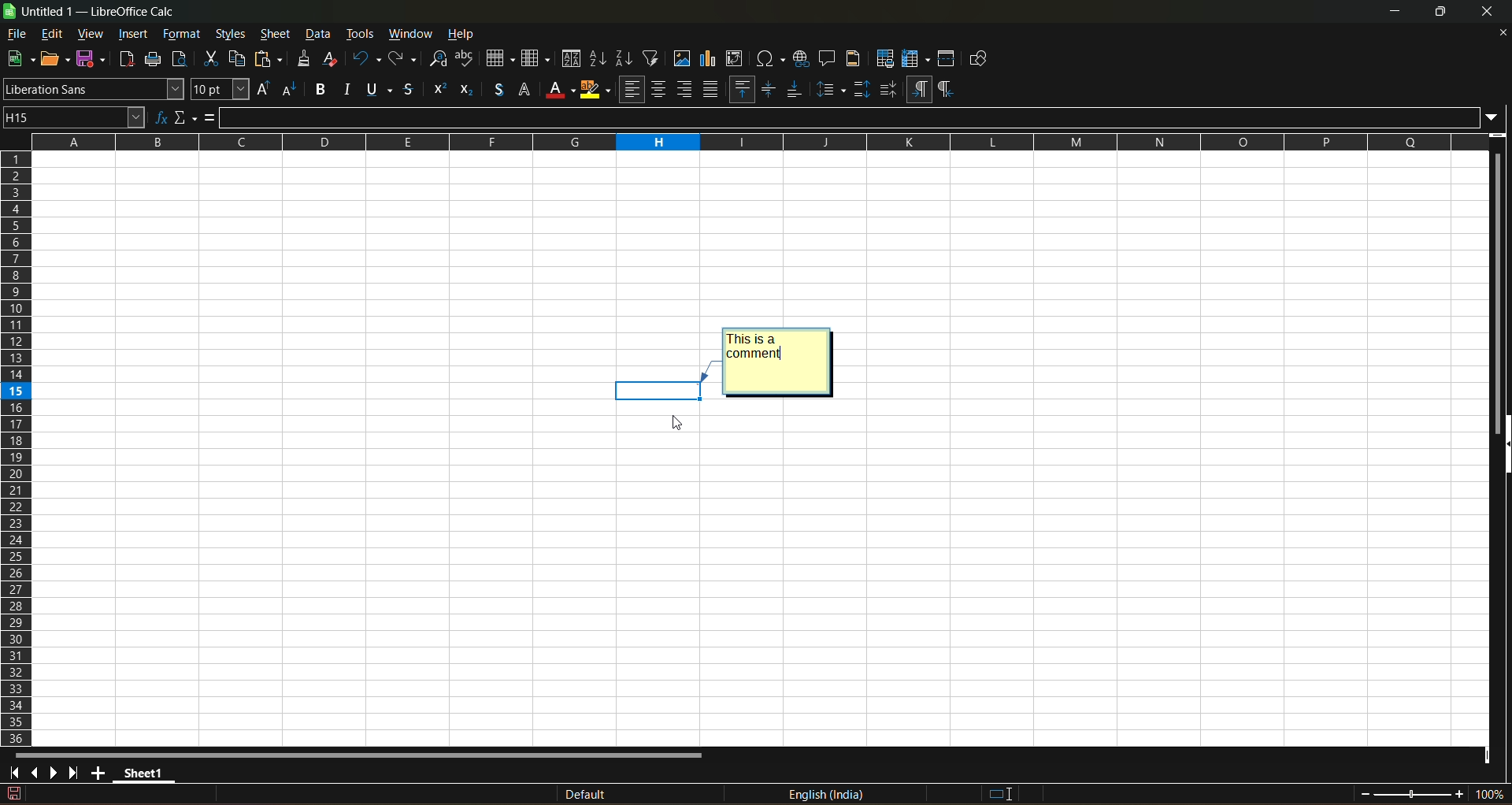 The height and width of the screenshot is (805, 1512). What do you see at coordinates (927, 88) in the screenshot?
I see `decrease indent` at bounding box center [927, 88].